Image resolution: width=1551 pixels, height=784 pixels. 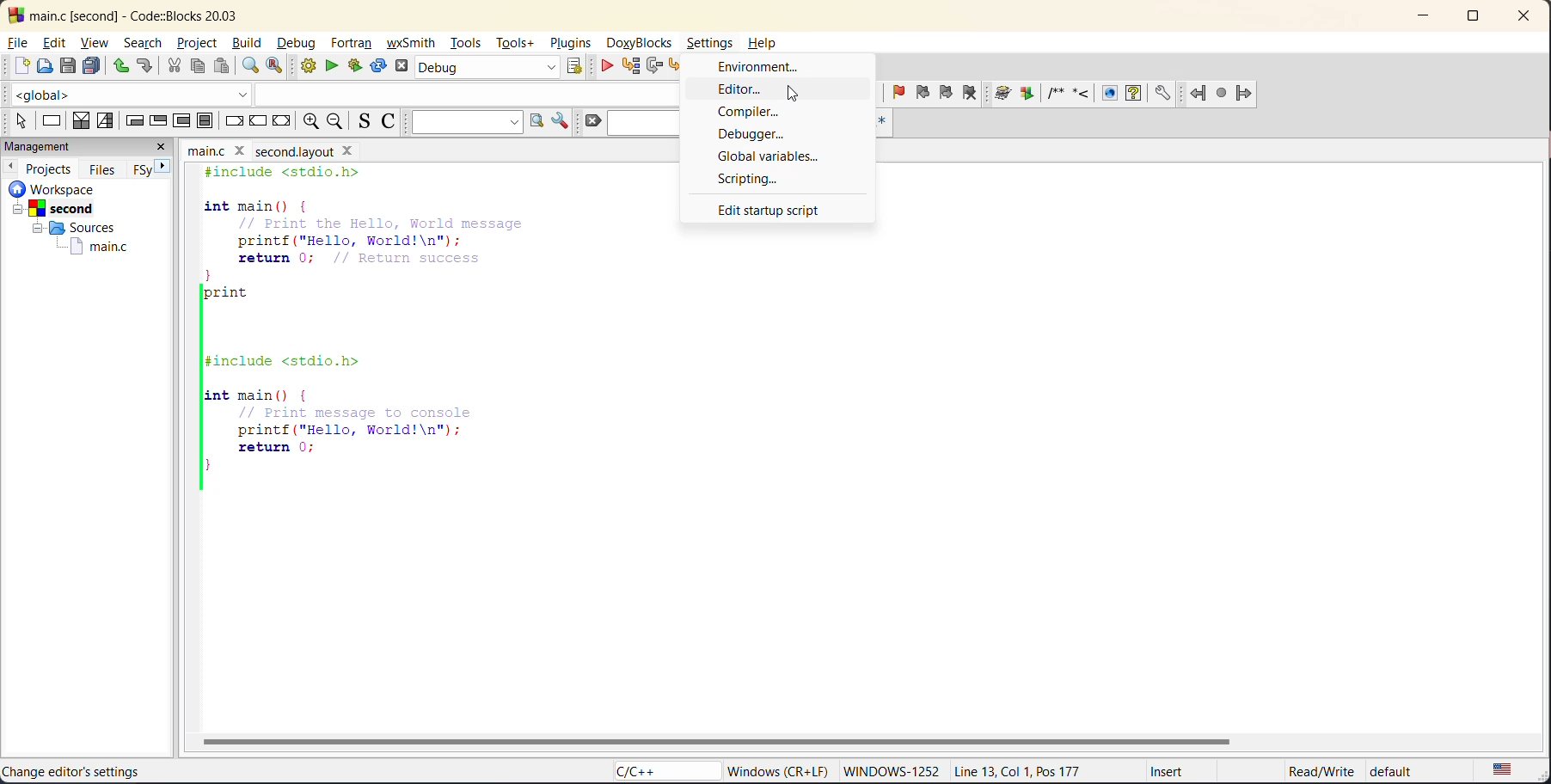 What do you see at coordinates (1092, 93) in the screenshot?
I see `doxyblocks references` at bounding box center [1092, 93].